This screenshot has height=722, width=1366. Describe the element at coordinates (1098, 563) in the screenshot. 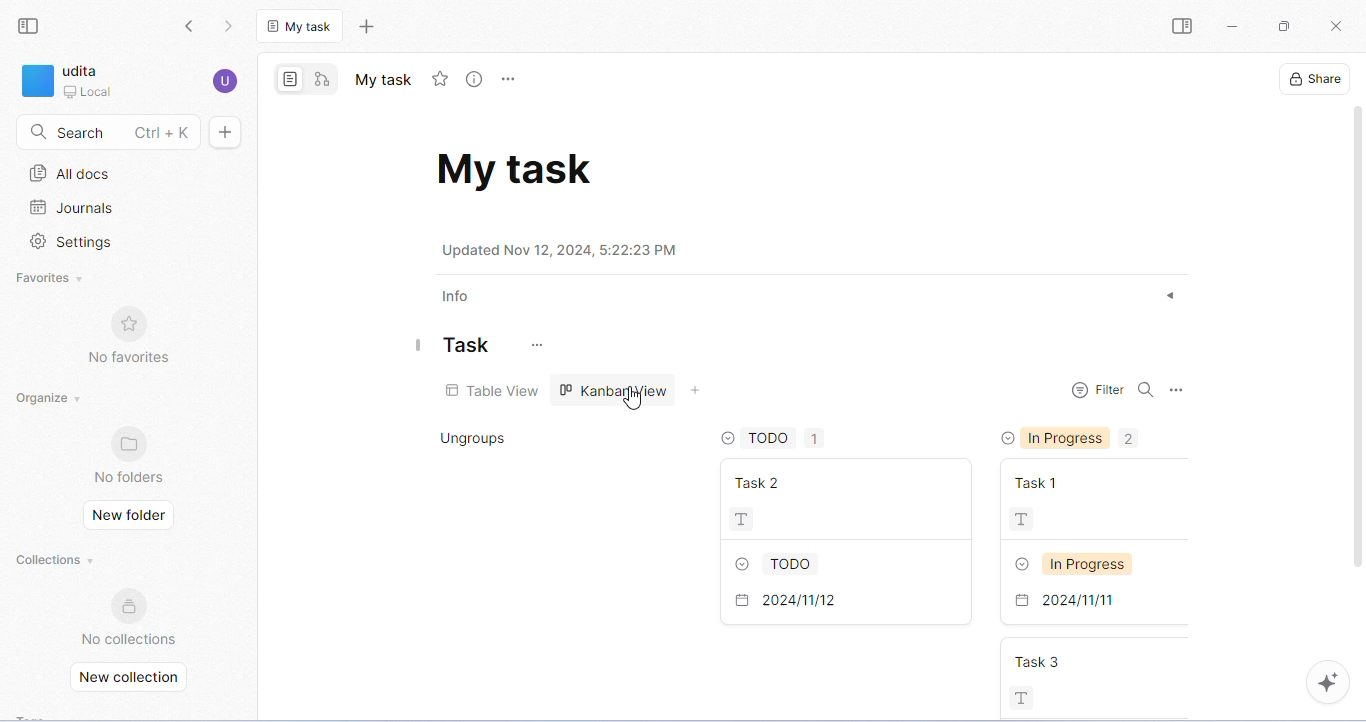

I see `In Progress` at that location.